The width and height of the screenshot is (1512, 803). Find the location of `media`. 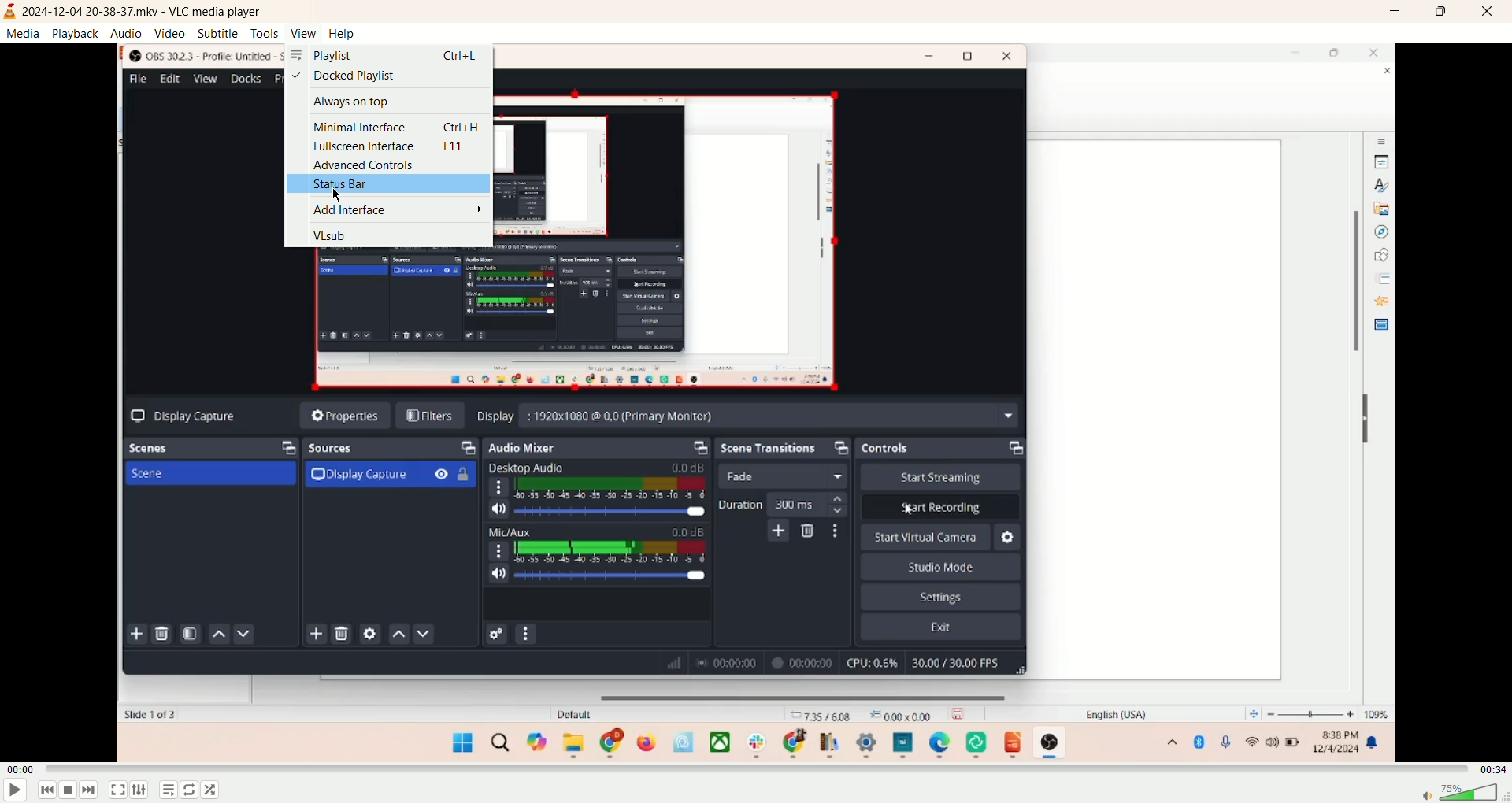

media is located at coordinates (23, 35).